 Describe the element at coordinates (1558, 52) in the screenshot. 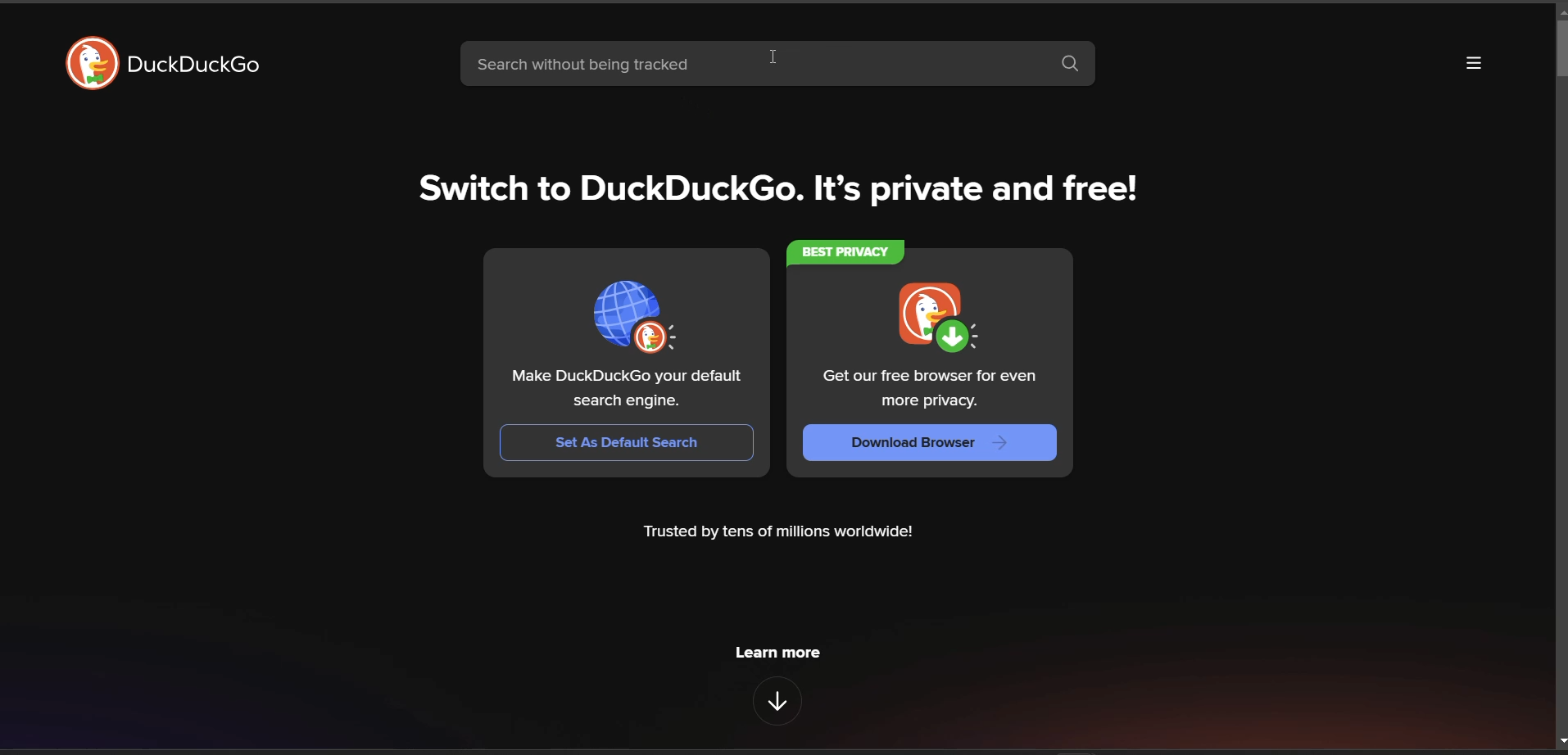

I see `vertical scroll bar` at that location.